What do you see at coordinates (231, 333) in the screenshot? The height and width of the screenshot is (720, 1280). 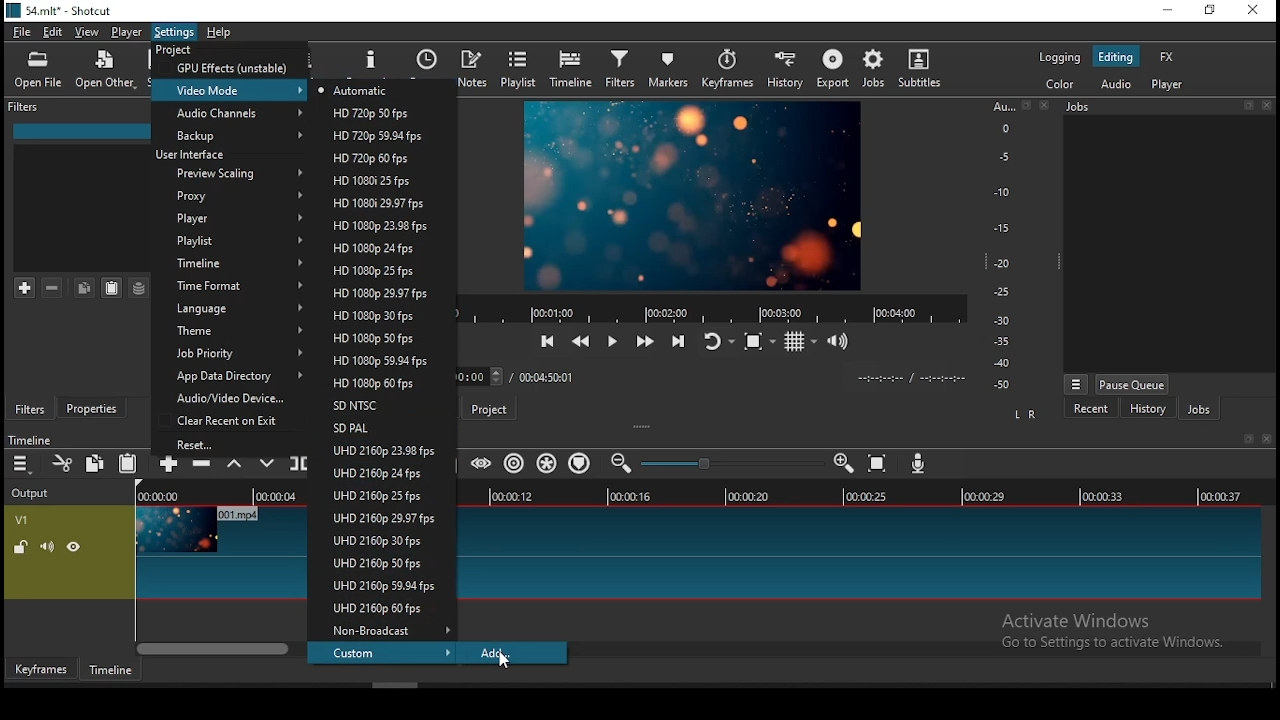 I see `theme` at bounding box center [231, 333].